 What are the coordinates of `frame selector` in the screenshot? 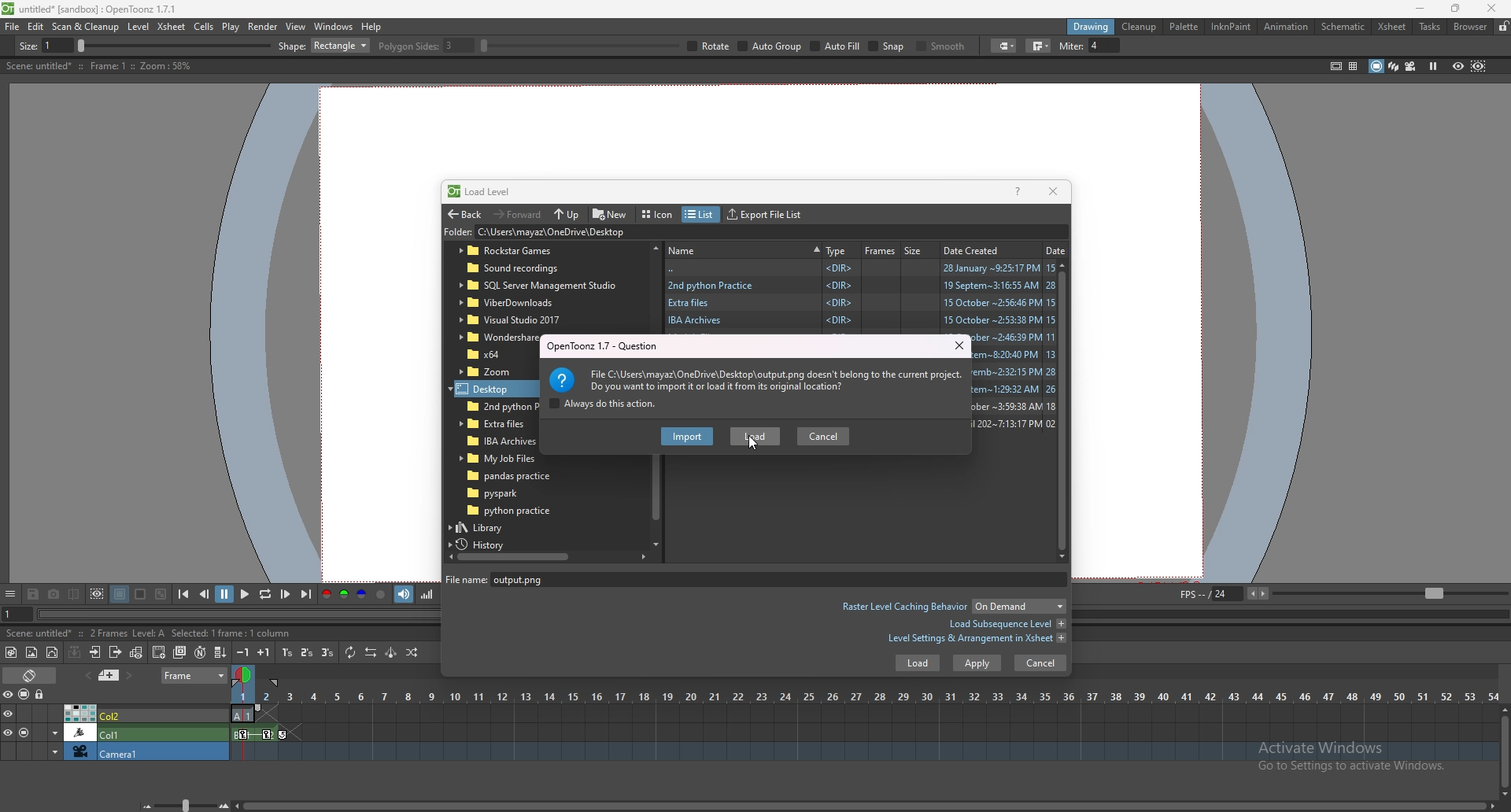 It's located at (245, 674).